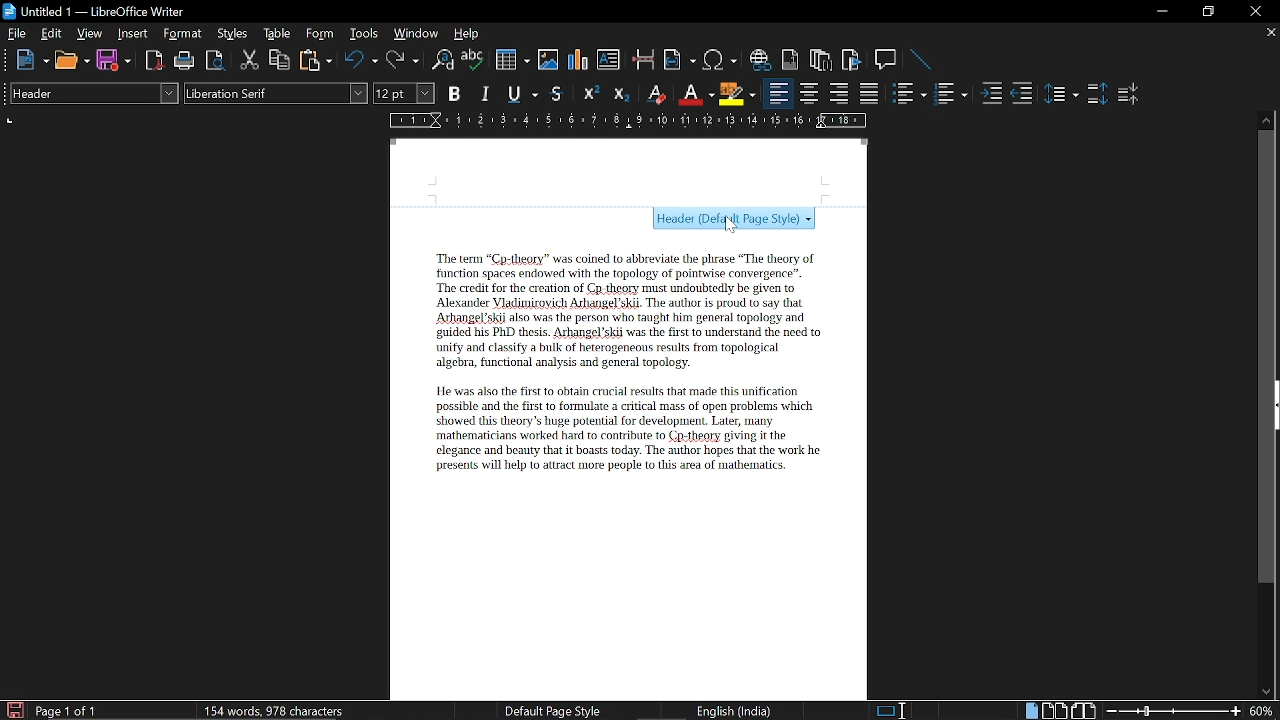 The height and width of the screenshot is (720, 1280). I want to click on current page Current page, so click(65, 710).